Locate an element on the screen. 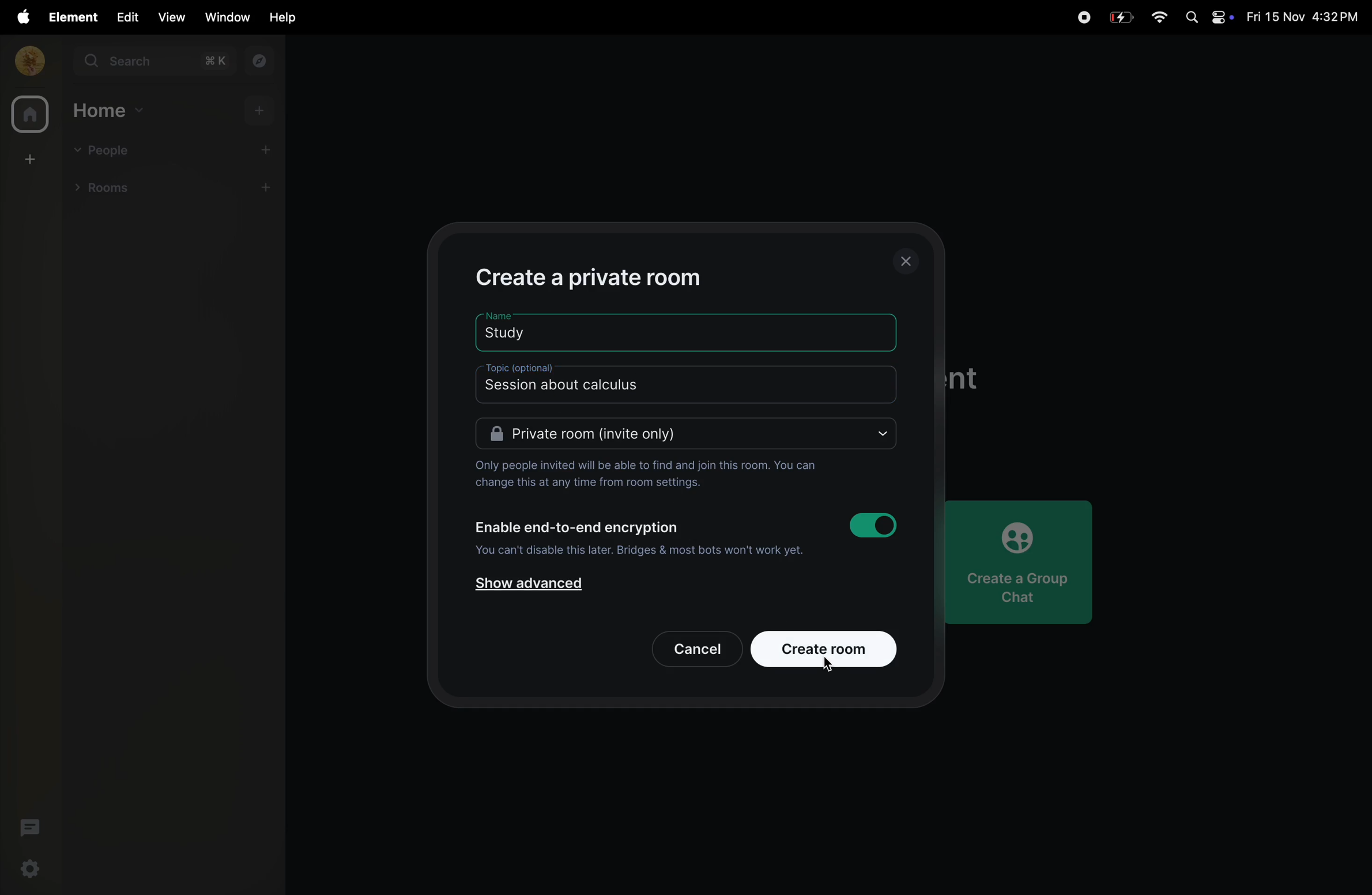  only invited people can join them is located at coordinates (646, 473).